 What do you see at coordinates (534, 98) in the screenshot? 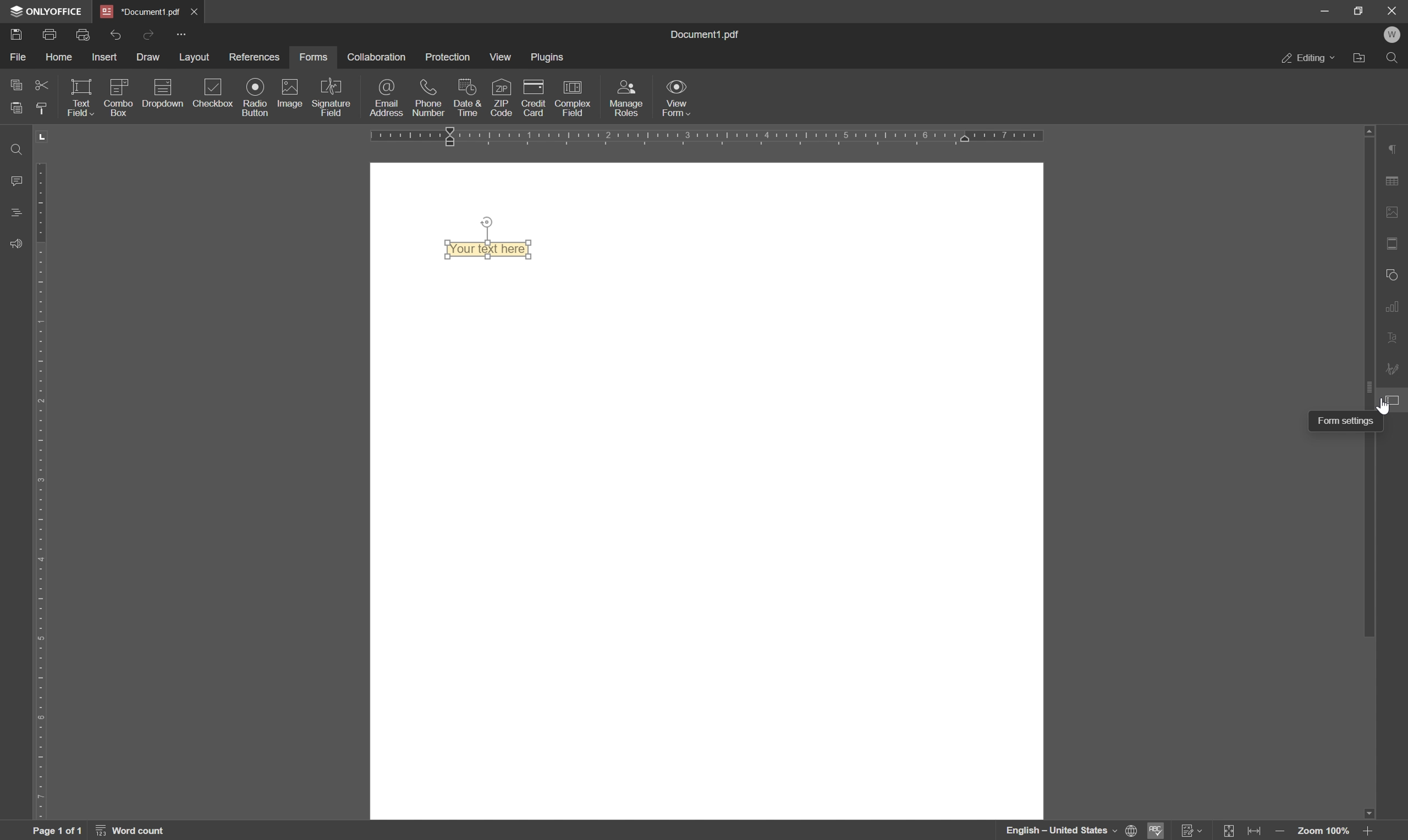
I see `credit card` at bounding box center [534, 98].